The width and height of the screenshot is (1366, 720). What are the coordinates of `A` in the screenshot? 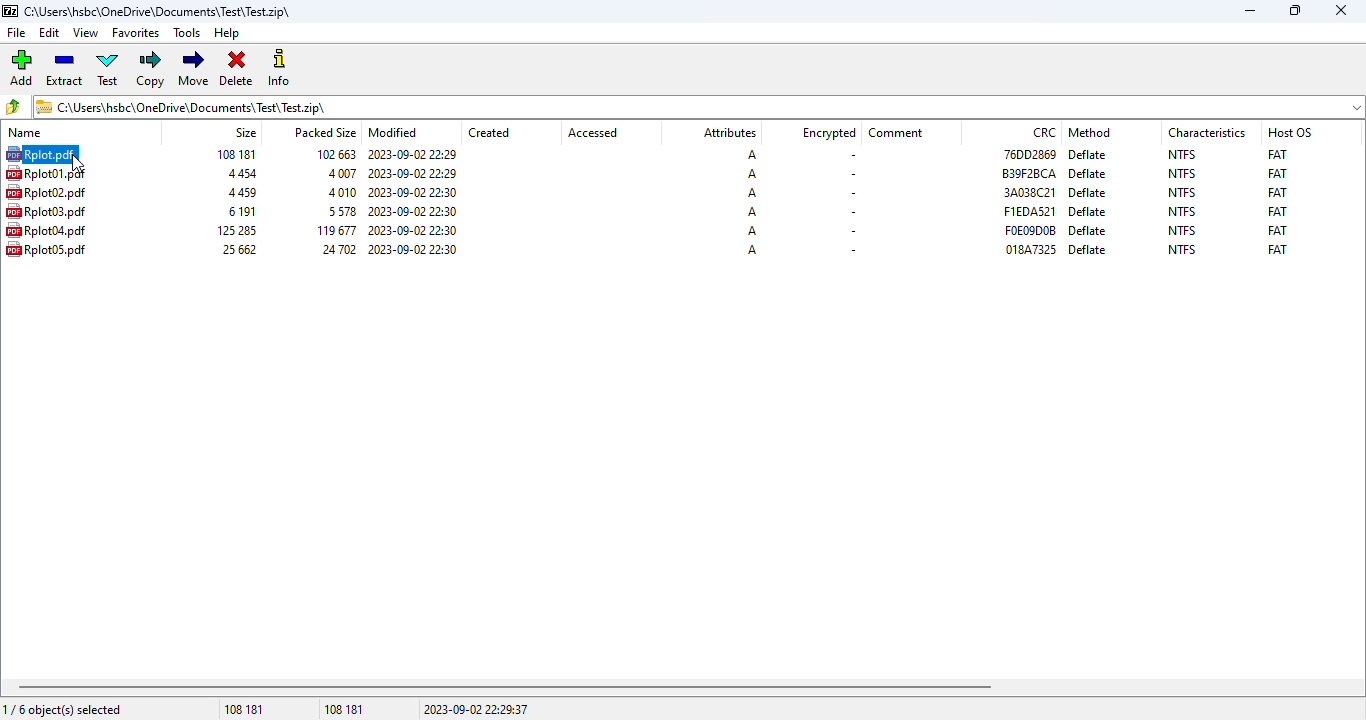 It's located at (750, 155).